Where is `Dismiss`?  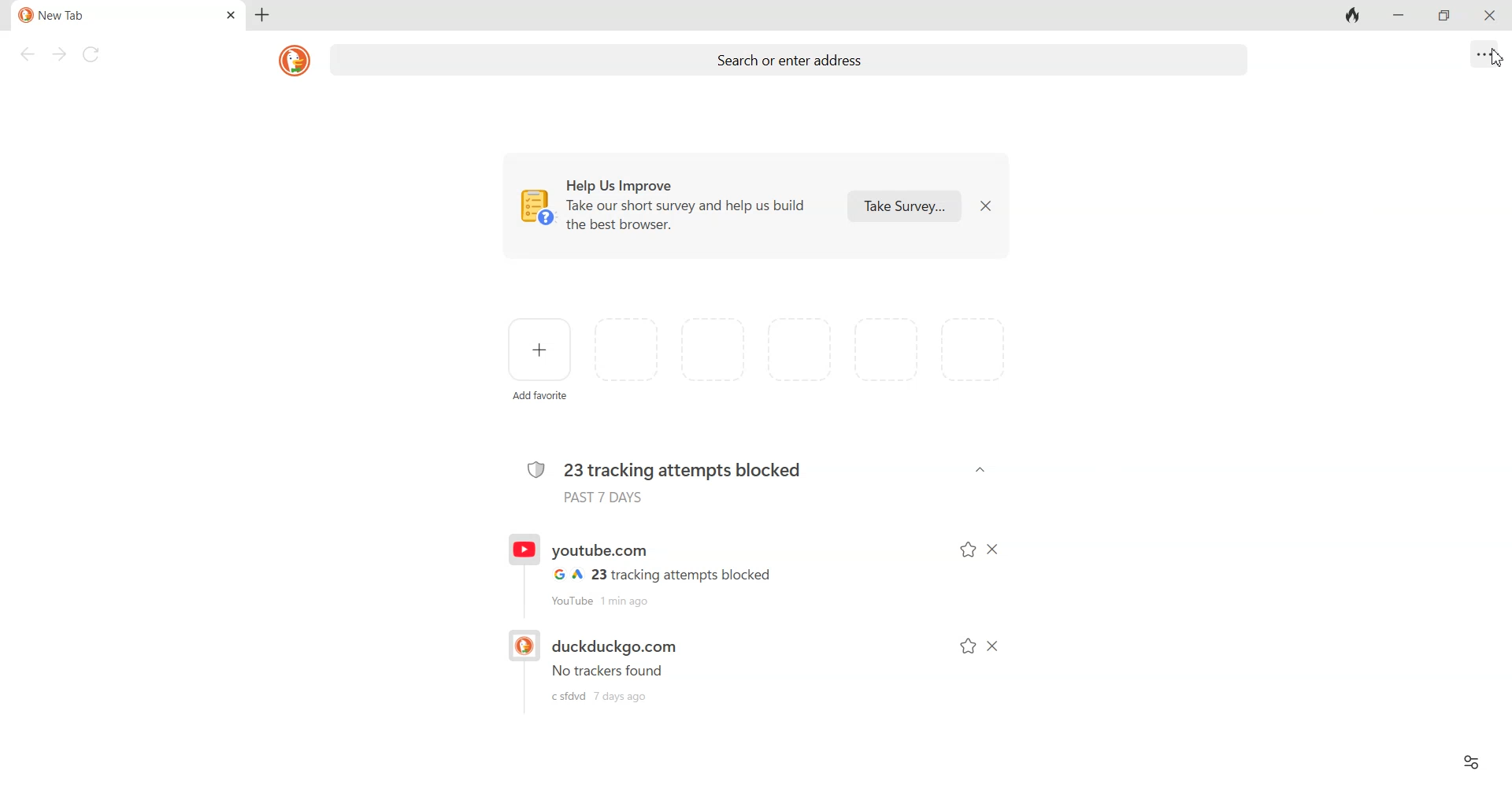 Dismiss is located at coordinates (984, 205).